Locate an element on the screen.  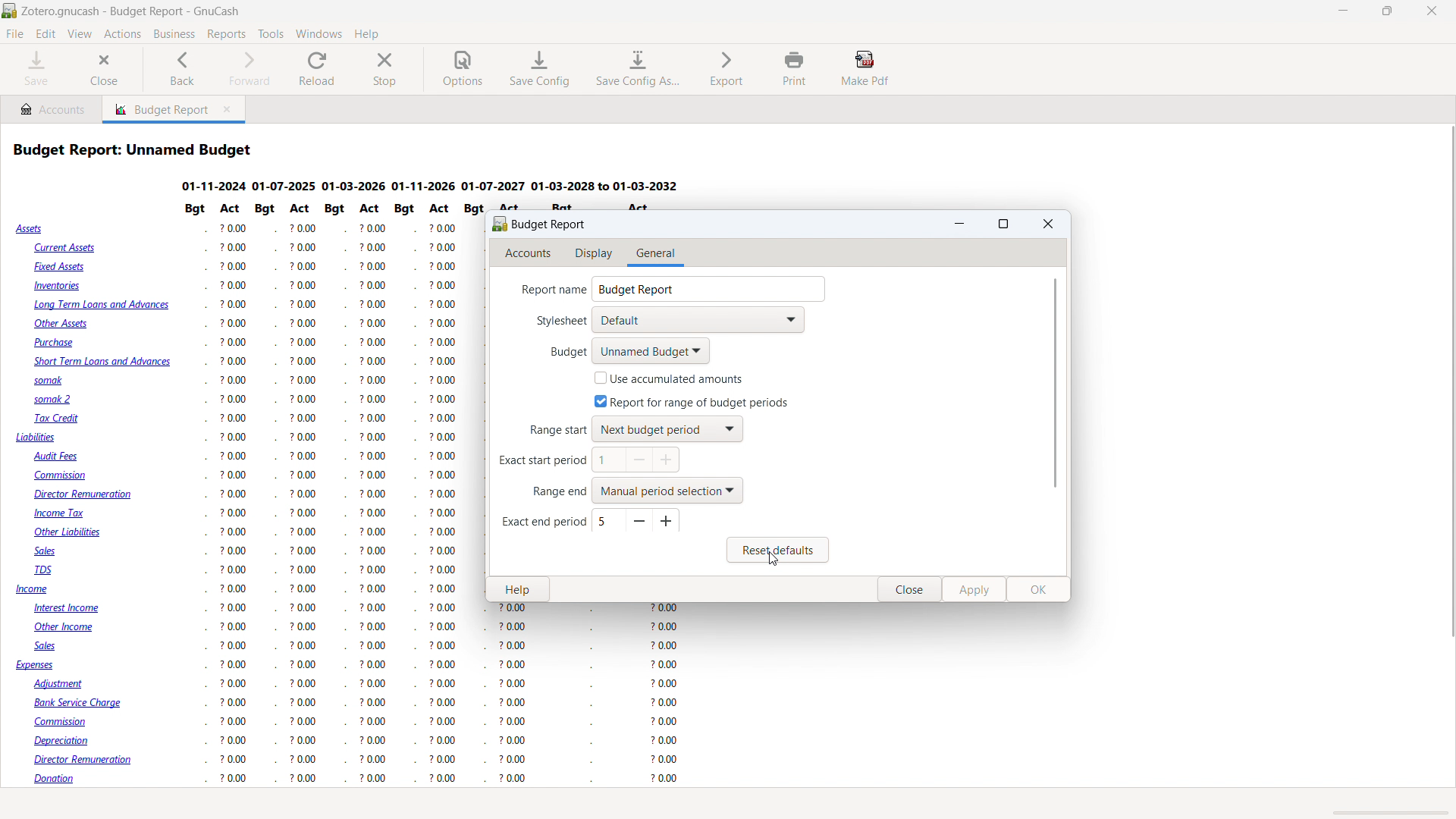
Director Remuneration is located at coordinates (84, 495).